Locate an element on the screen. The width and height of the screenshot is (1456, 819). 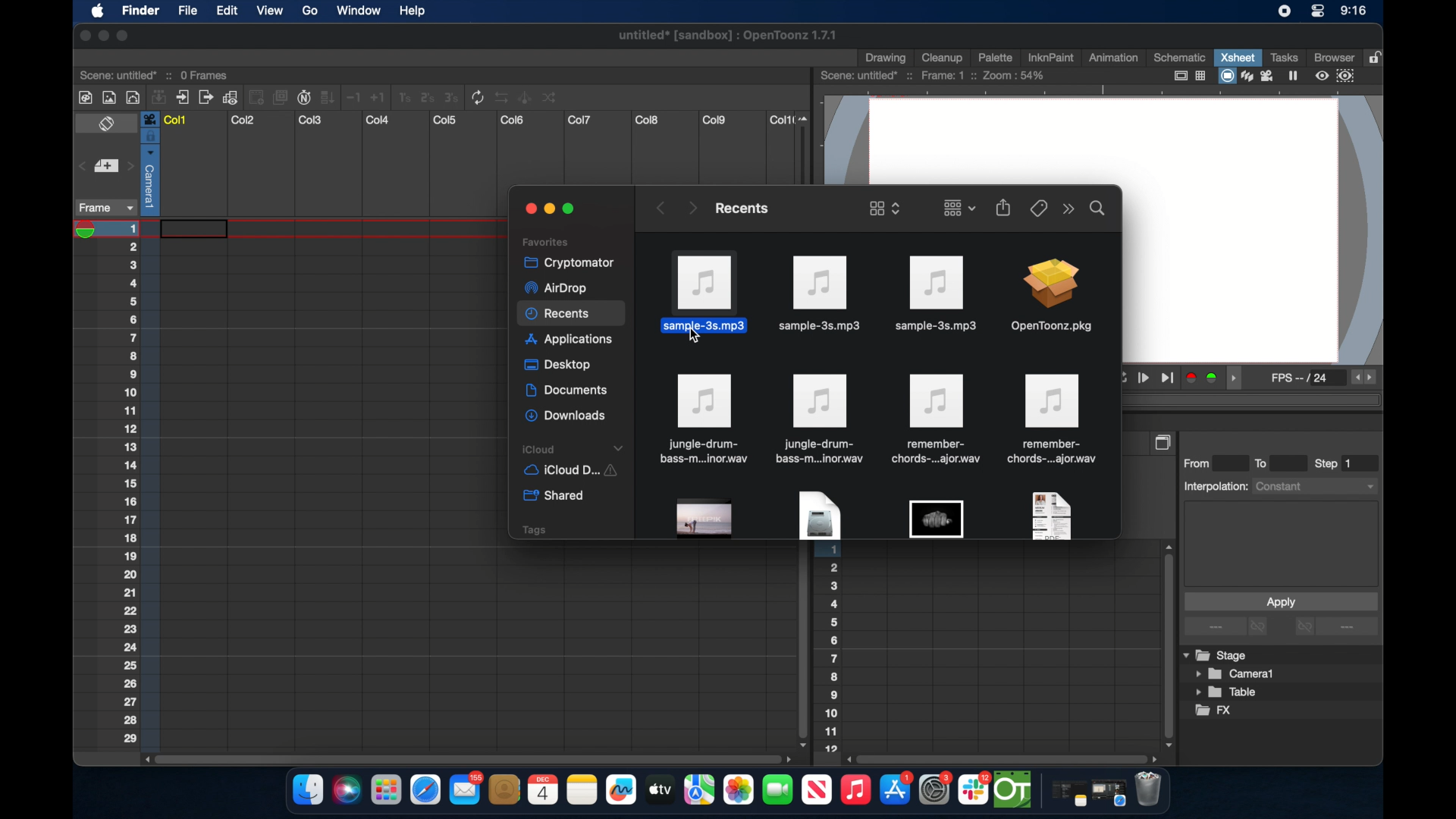
edit is located at coordinates (226, 11).